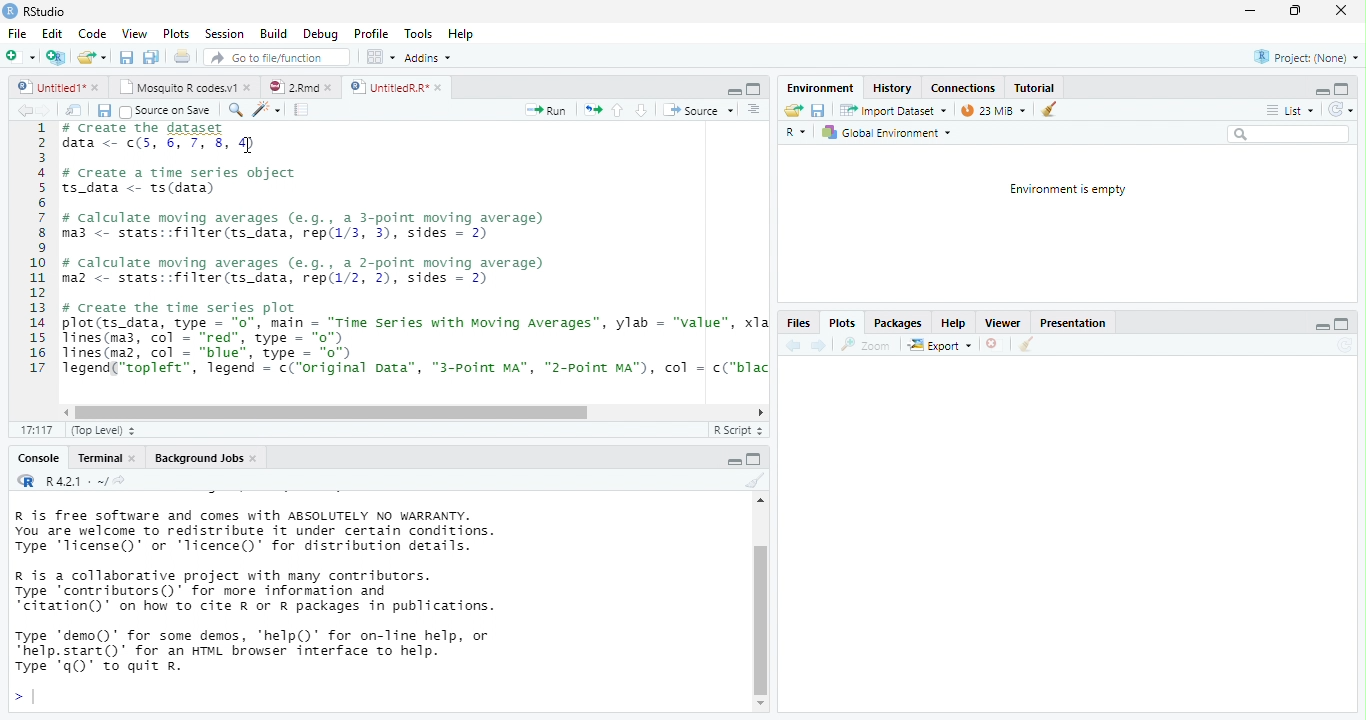 The image size is (1366, 720). I want to click on ‘Source, so click(700, 110).